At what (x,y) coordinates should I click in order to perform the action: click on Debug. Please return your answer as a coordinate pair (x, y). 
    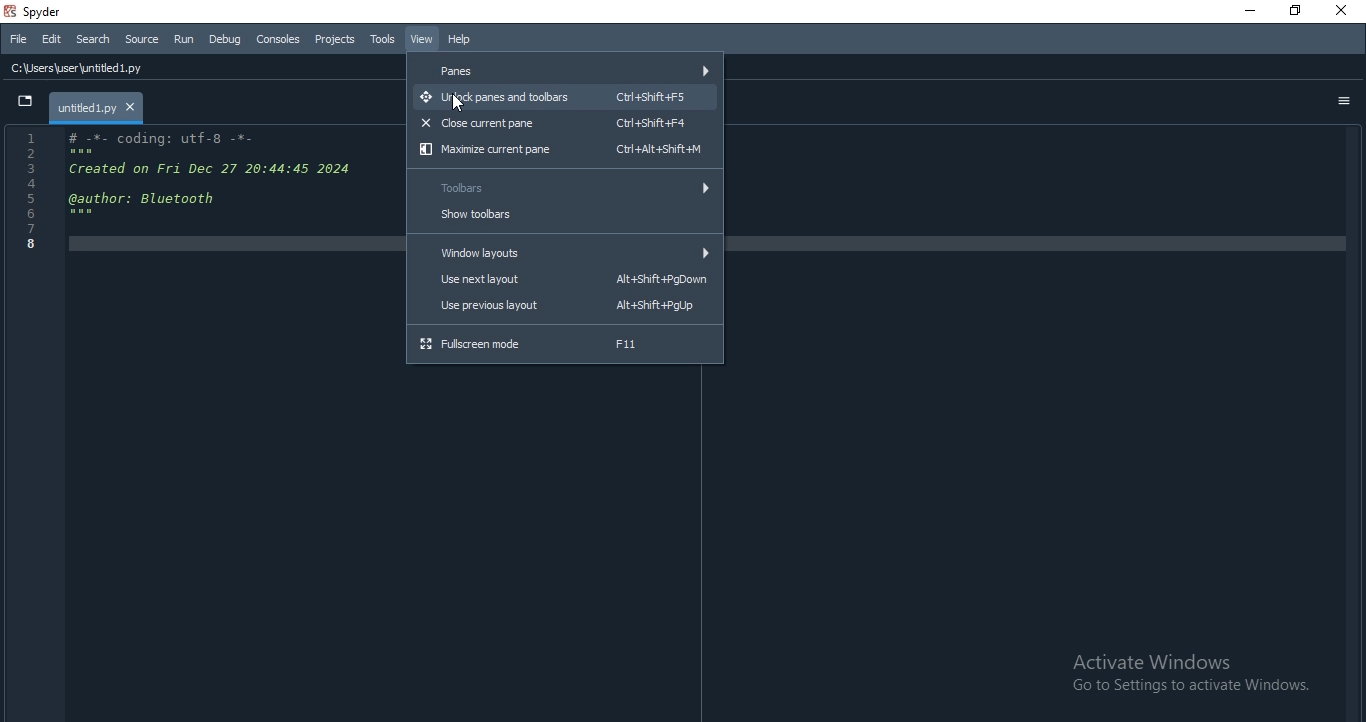
    Looking at the image, I should click on (226, 40).